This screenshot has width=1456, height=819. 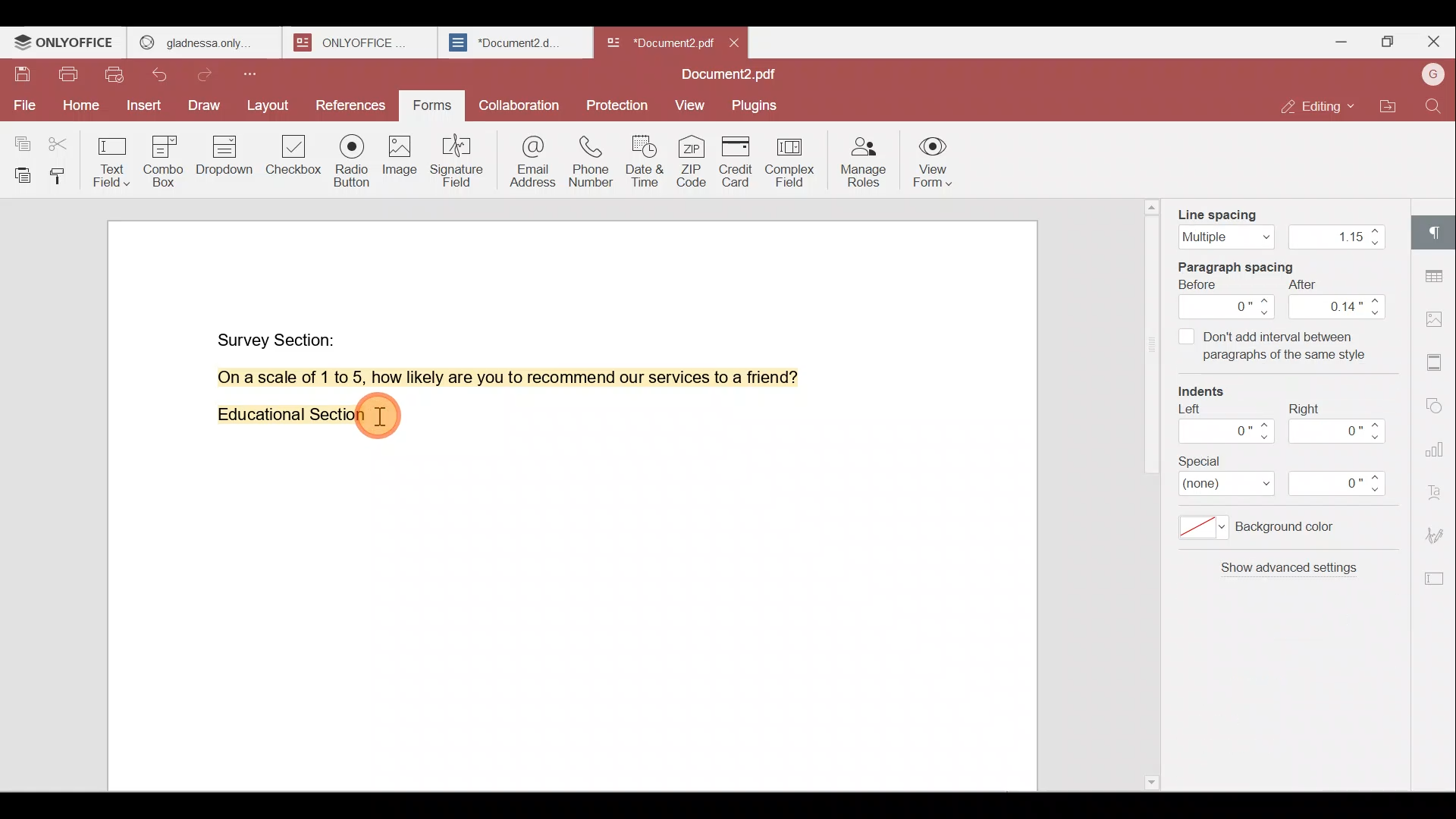 What do you see at coordinates (690, 106) in the screenshot?
I see `View` at bounding box center [690, 106].